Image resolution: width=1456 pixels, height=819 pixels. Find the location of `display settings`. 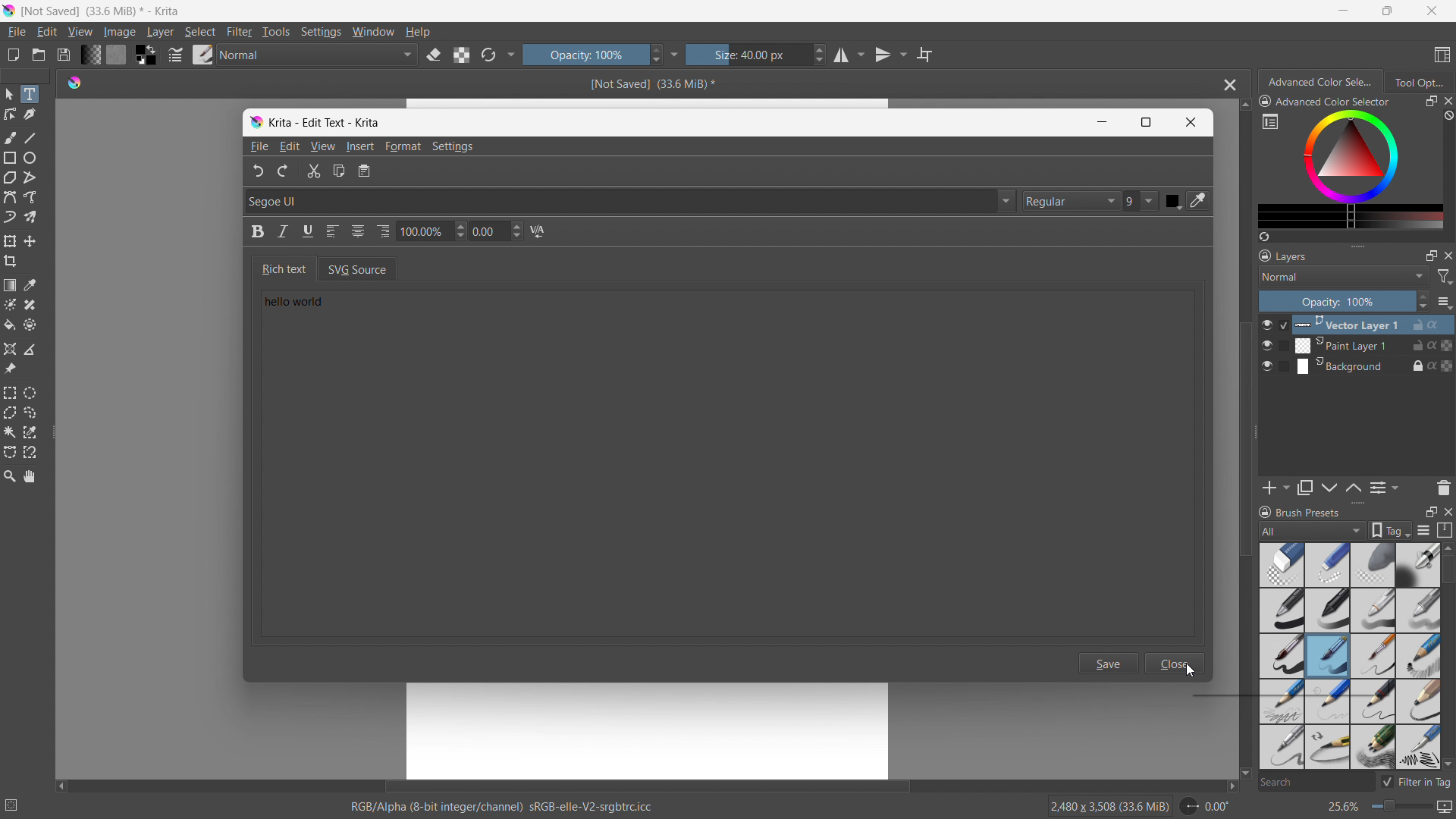

display settings is located at coordinates (1423, 530).